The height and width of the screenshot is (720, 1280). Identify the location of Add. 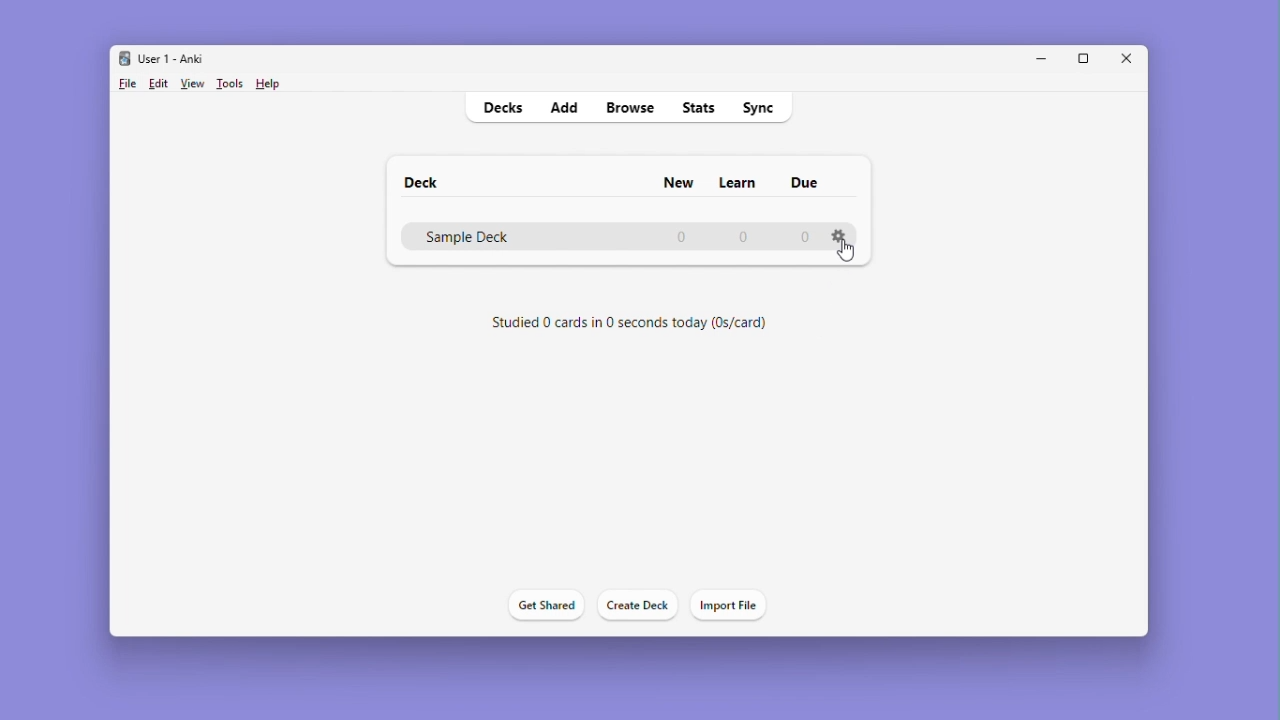
(563, 106).